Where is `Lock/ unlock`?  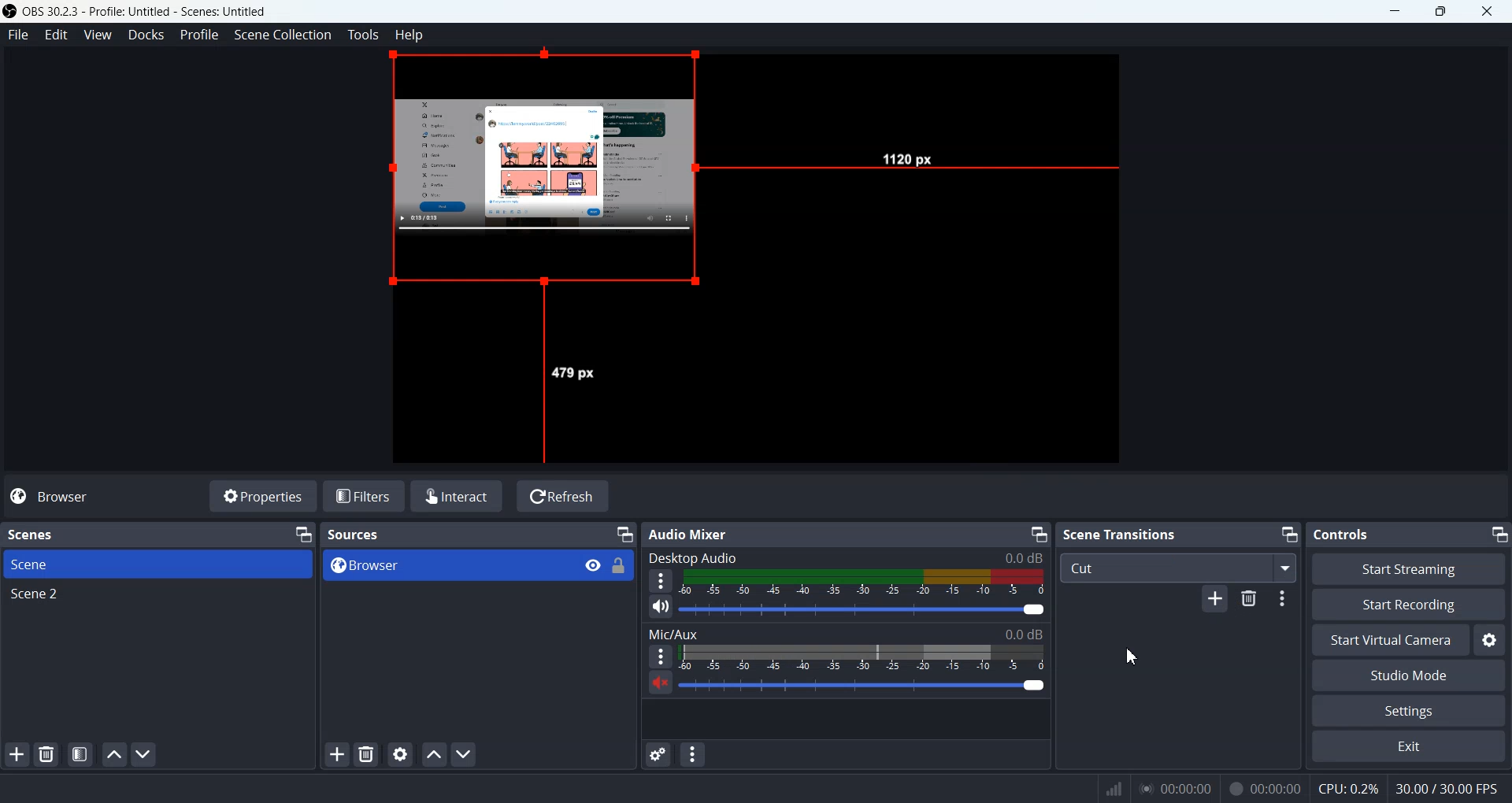 Lock/ unlock is located at coordinates (620, 566).